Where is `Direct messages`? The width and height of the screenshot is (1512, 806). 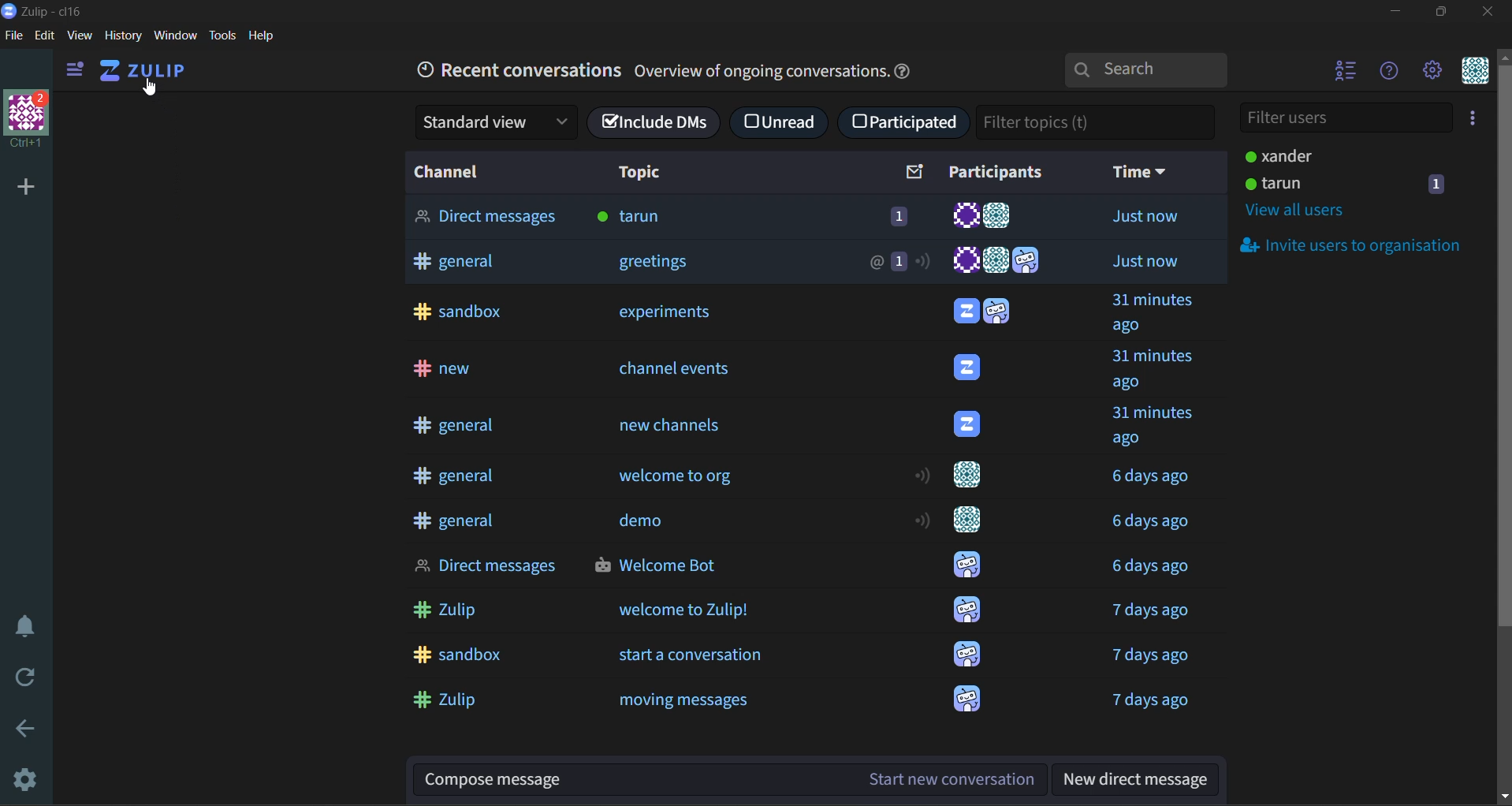
Direct messages is located at coordinates (489, 569).